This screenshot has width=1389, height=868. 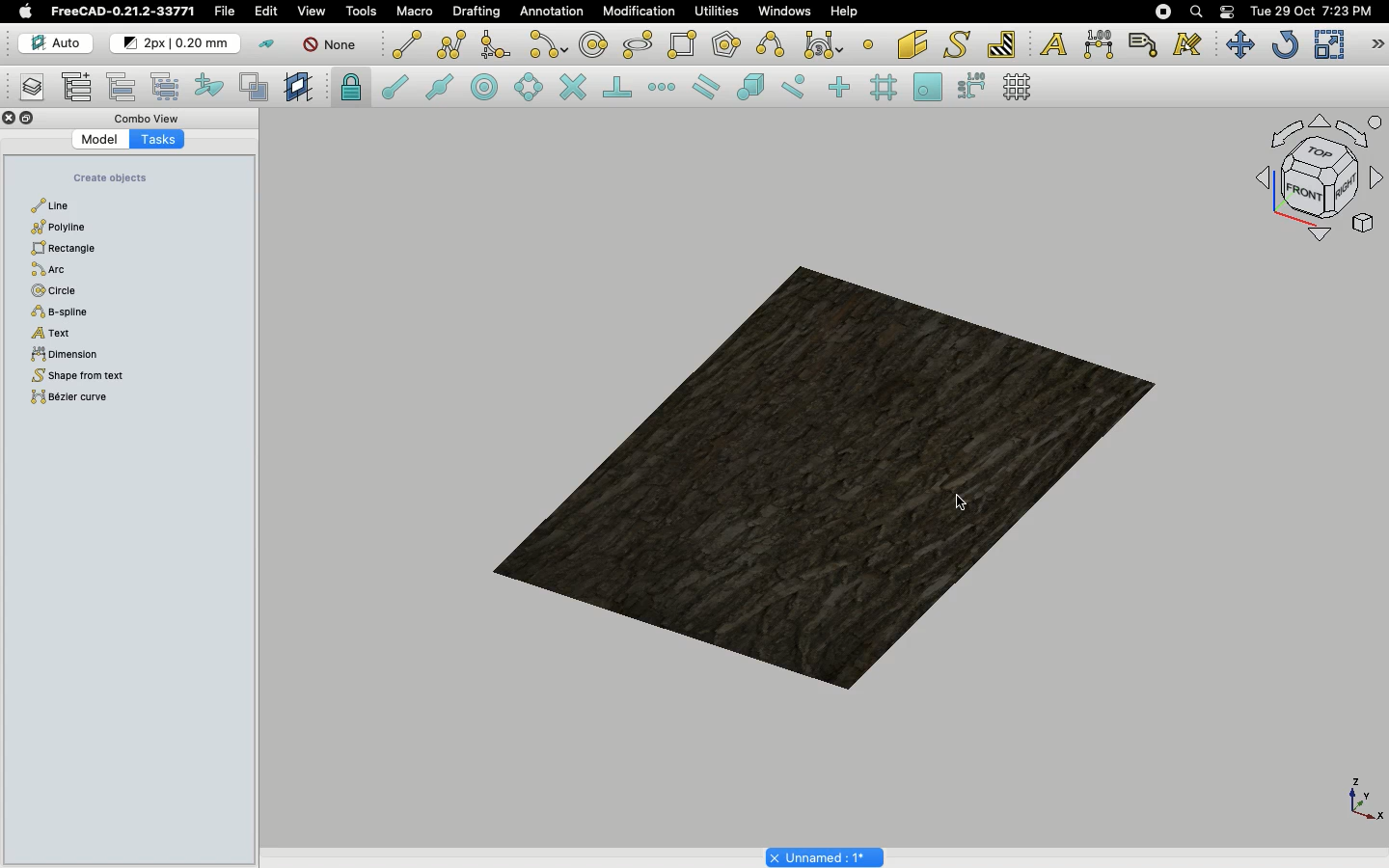 What do you see at coordinates (25, 11) in the screenshot?
I see `Apple logo` at bounding box center [25, 11].